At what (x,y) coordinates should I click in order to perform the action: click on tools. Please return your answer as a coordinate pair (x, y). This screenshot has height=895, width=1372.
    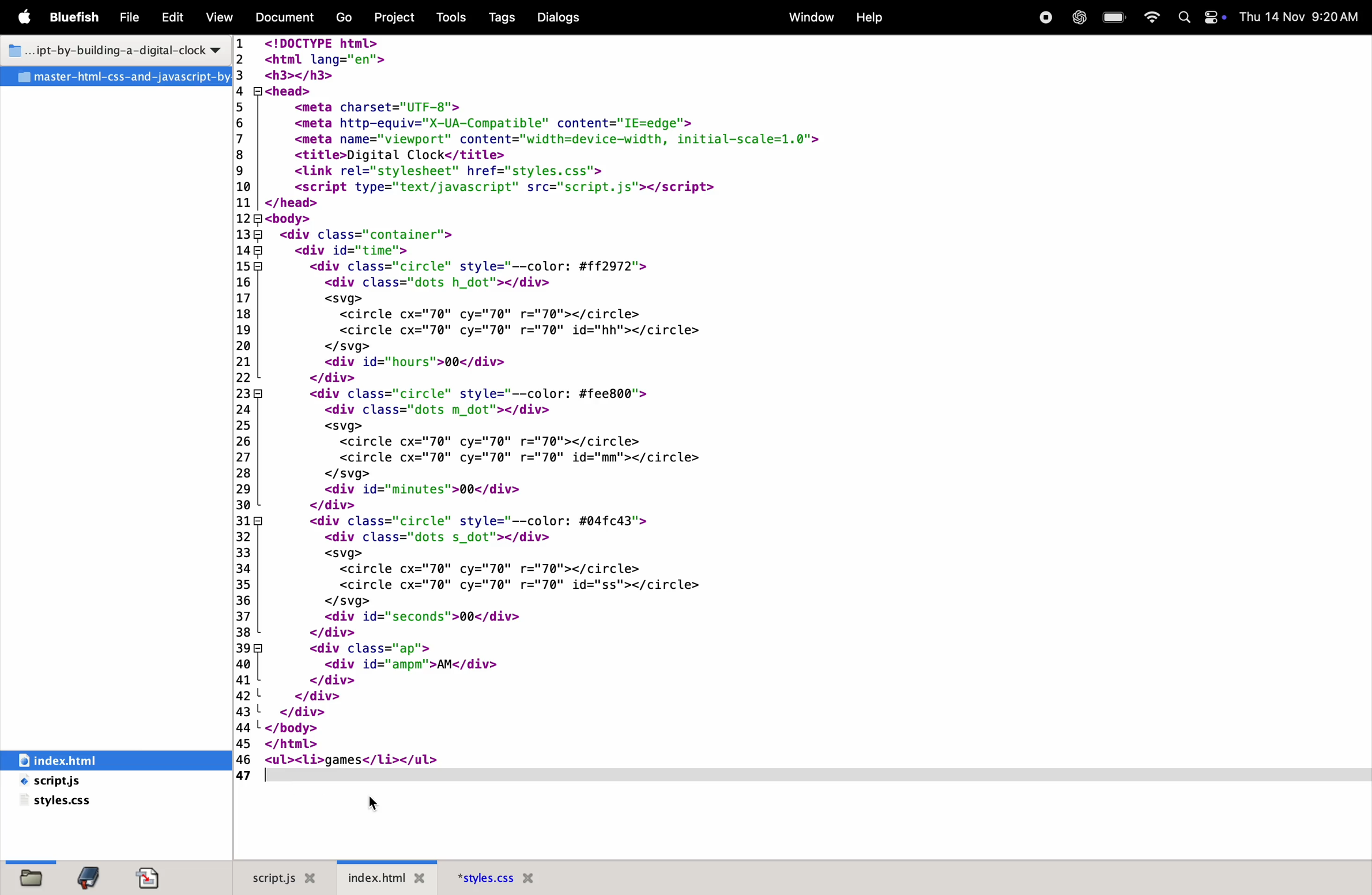
    Looking at the image, I should click on (452, 17).